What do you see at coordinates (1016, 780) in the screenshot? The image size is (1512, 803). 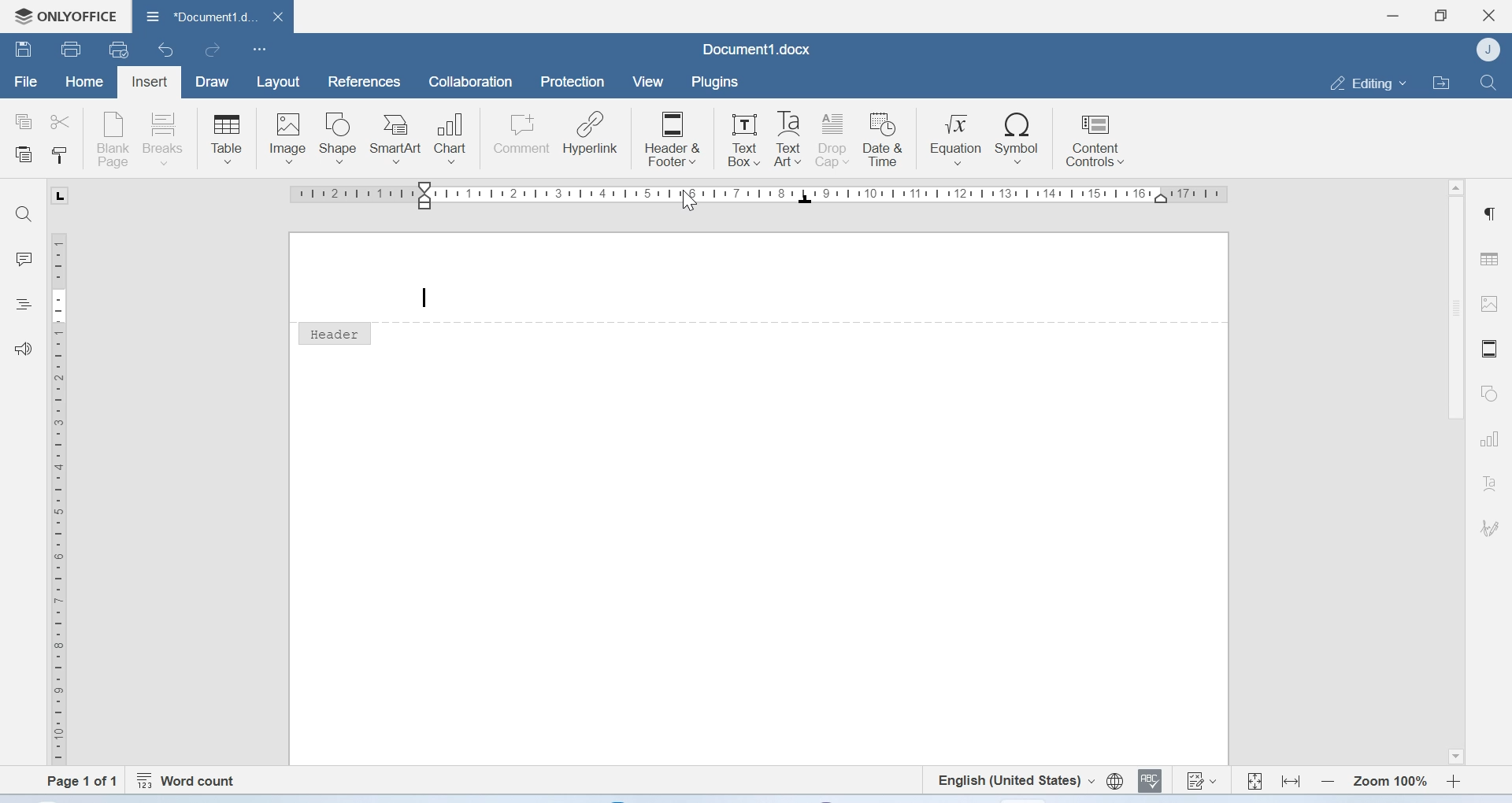 I see `Set text language` at bounding box center [1016, 780].